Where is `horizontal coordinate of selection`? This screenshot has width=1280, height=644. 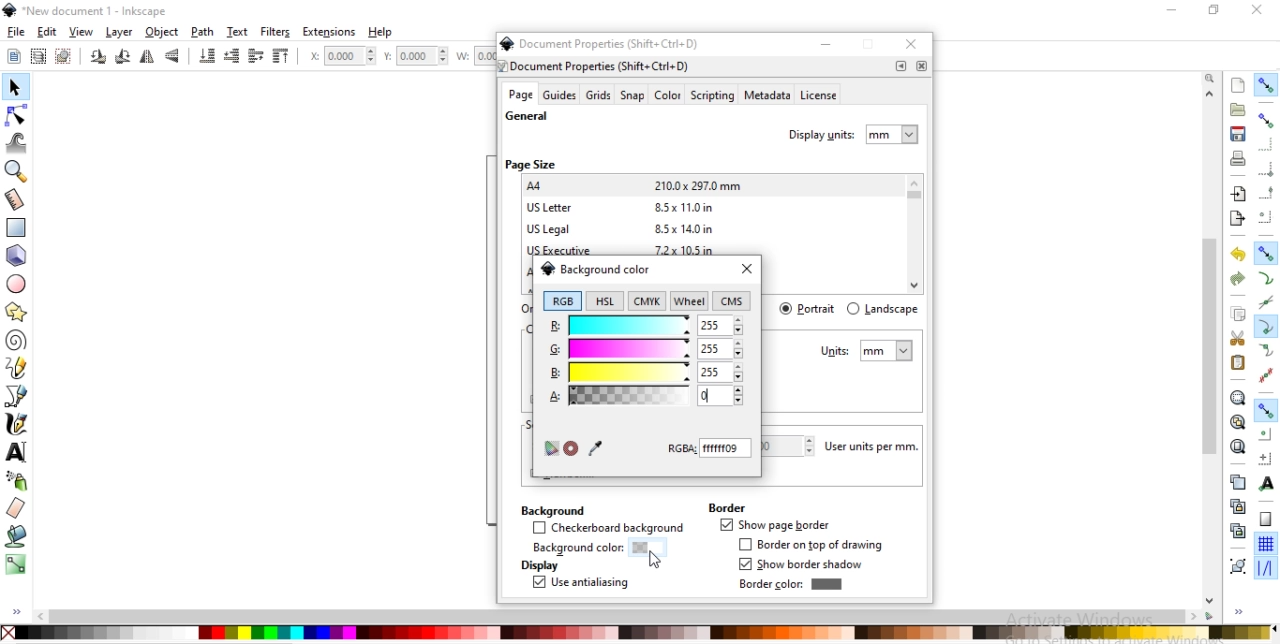
horizontal coordinate of selection is located at coordinates (340, 58).